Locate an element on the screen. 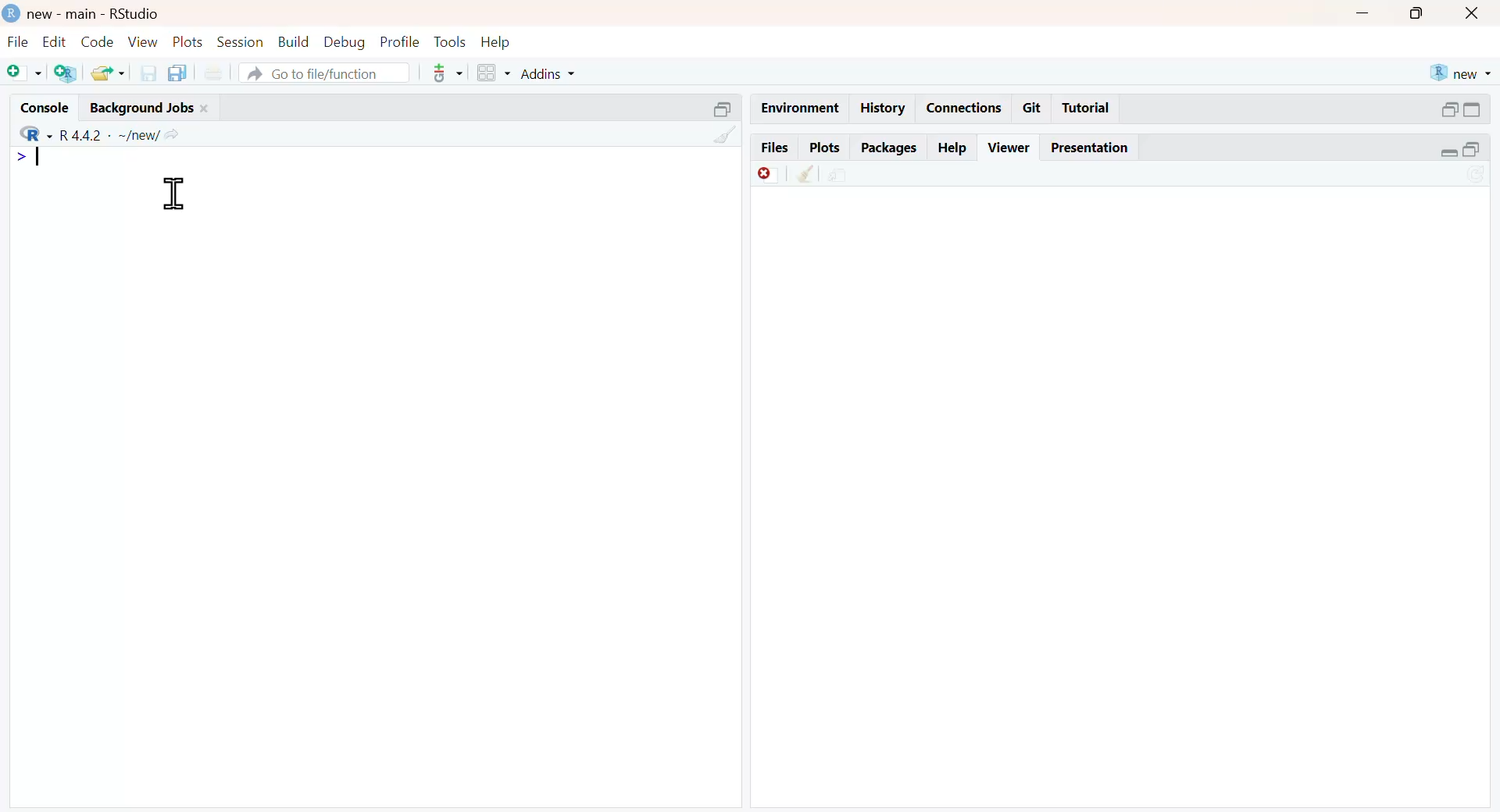 The height and width of the screenshot is (812, 1500). Discard  is located at coordinates (768, 175).